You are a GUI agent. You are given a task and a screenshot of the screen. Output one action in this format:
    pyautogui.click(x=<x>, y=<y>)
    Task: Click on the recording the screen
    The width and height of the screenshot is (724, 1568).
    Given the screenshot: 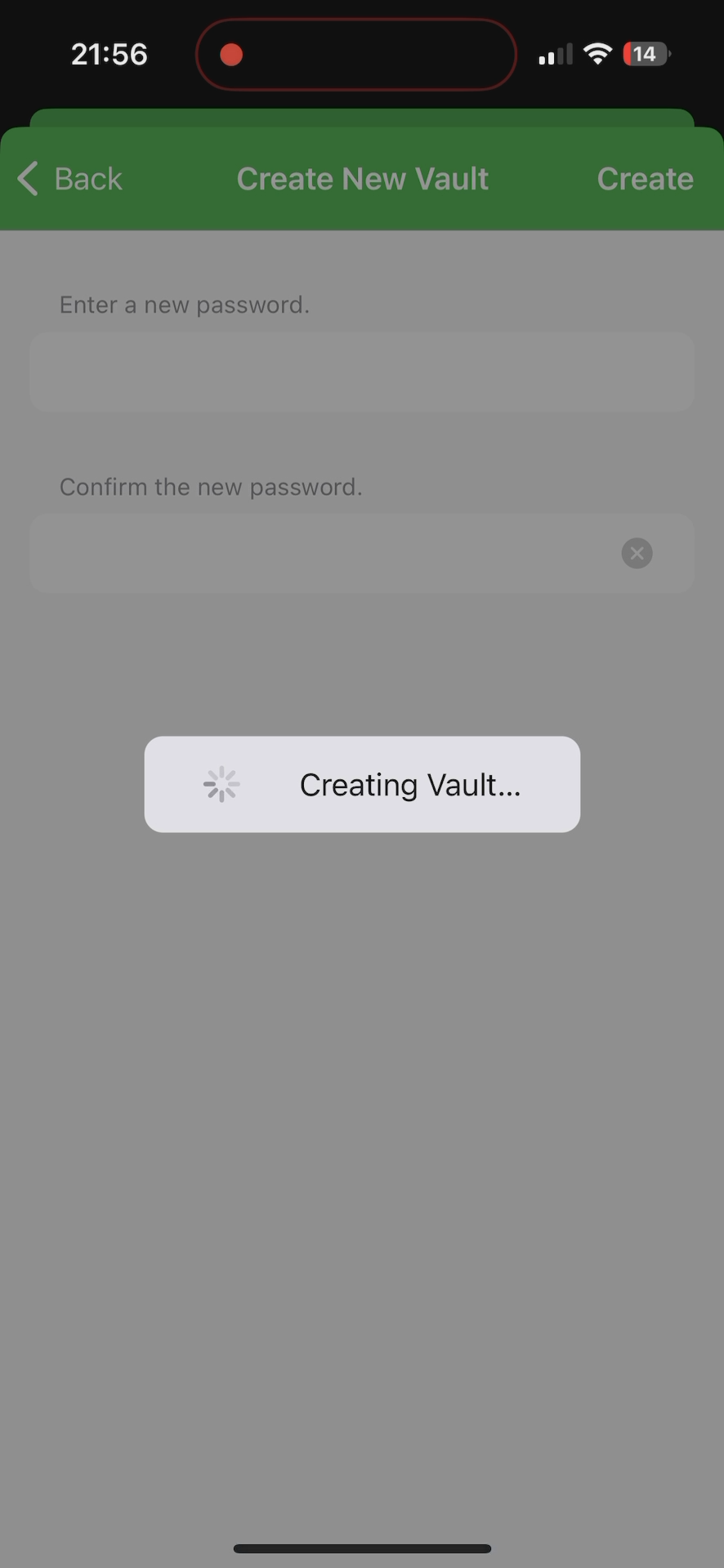 What is the action you would take?
    pyautogui.click(x=231, y=51)
    